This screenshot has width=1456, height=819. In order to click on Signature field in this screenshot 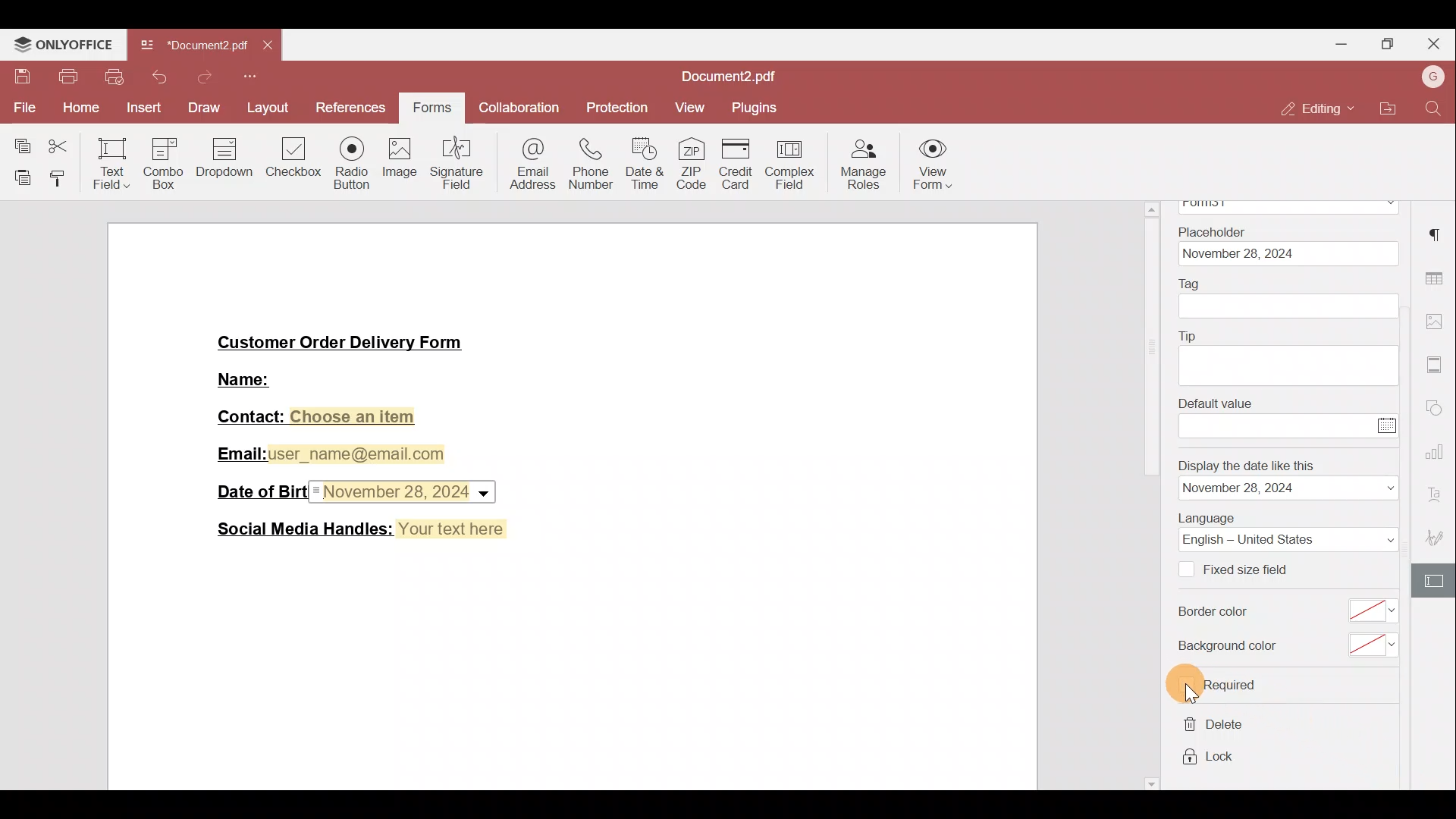, I will do `click(459, 161)`.